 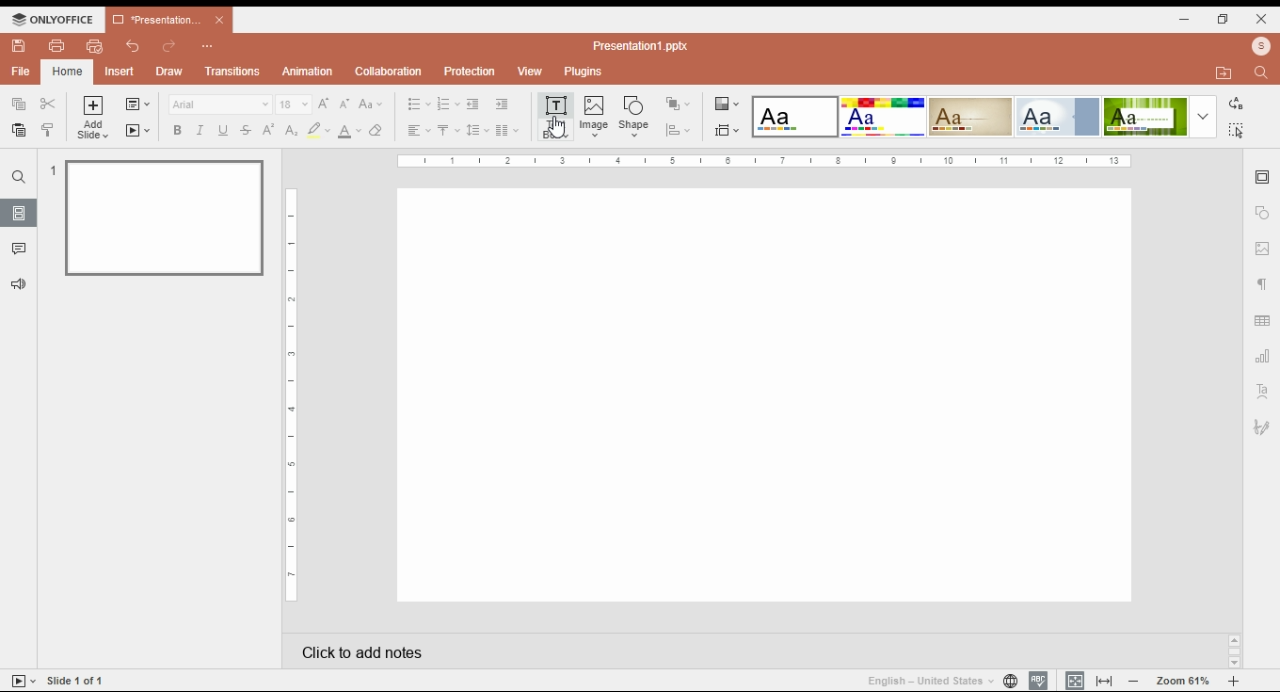 What do you see at coordinates (595, 118) in the screenshot?
I see `insert image` at bounding box center [595, 118].